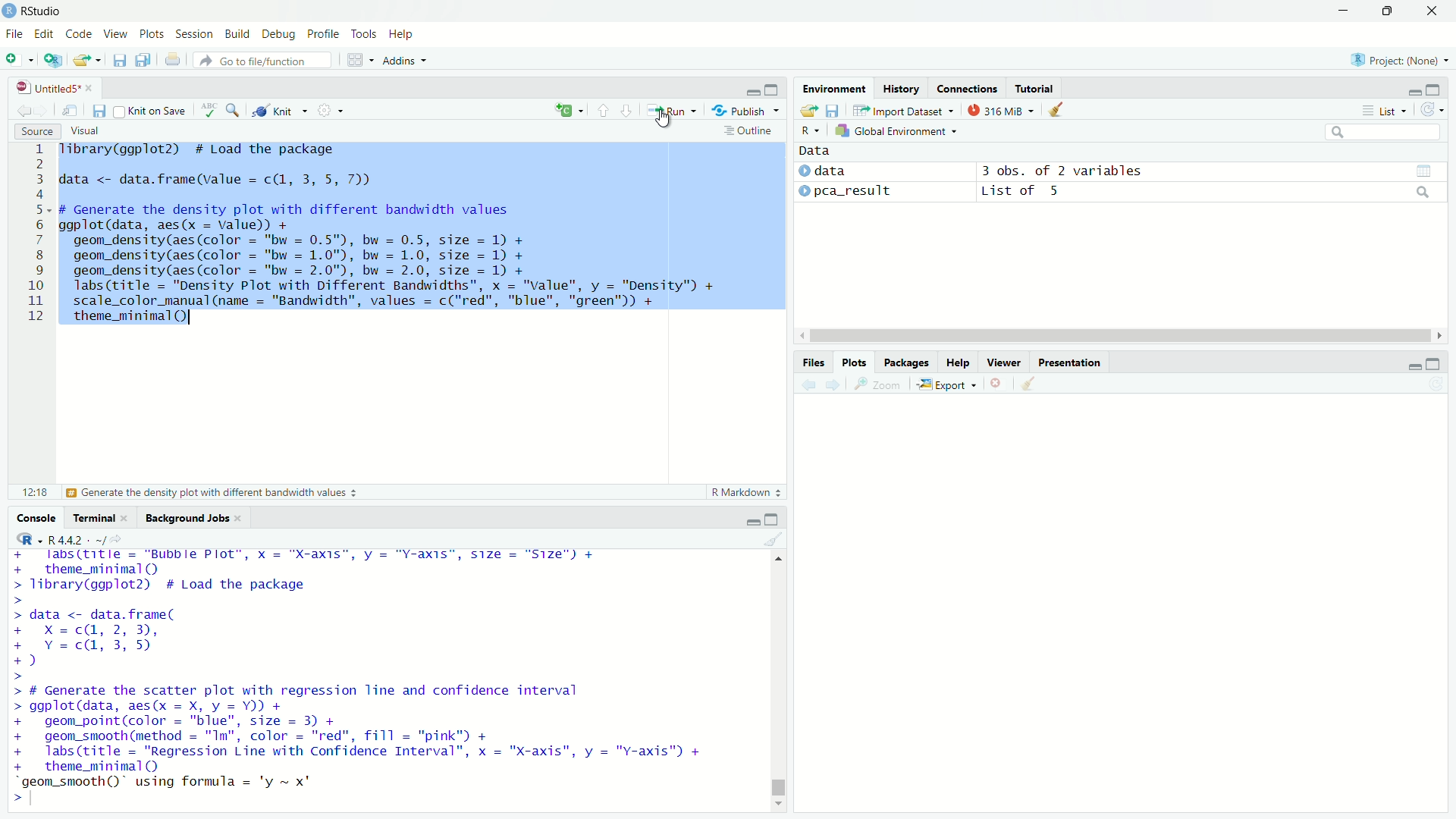 This screenshot has width=1456, height=819. Describe the element at coordinates (947, 384) in the screenshot. I see `Export` at that location.